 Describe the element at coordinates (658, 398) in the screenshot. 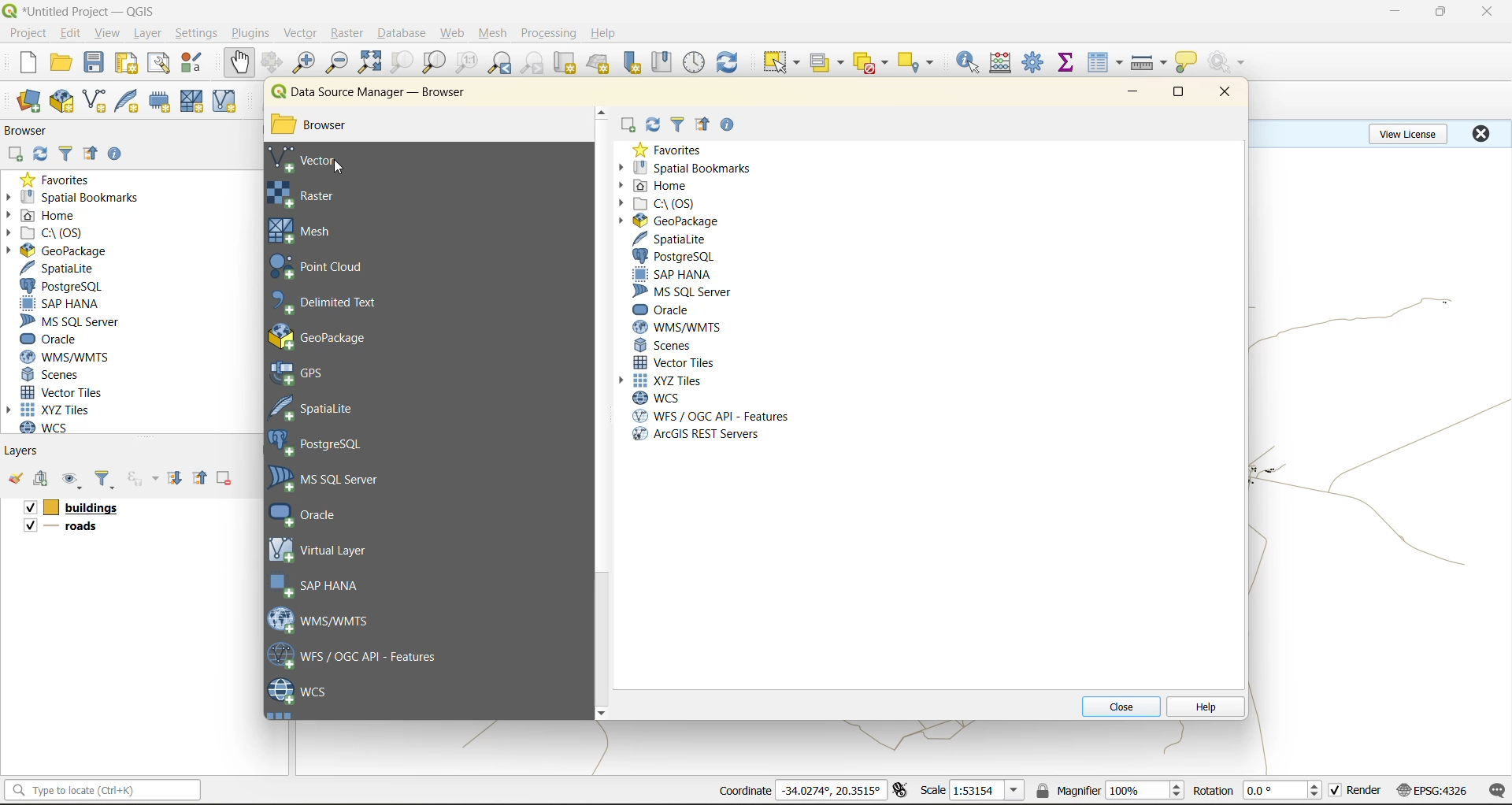

I see `wcs` at that location.